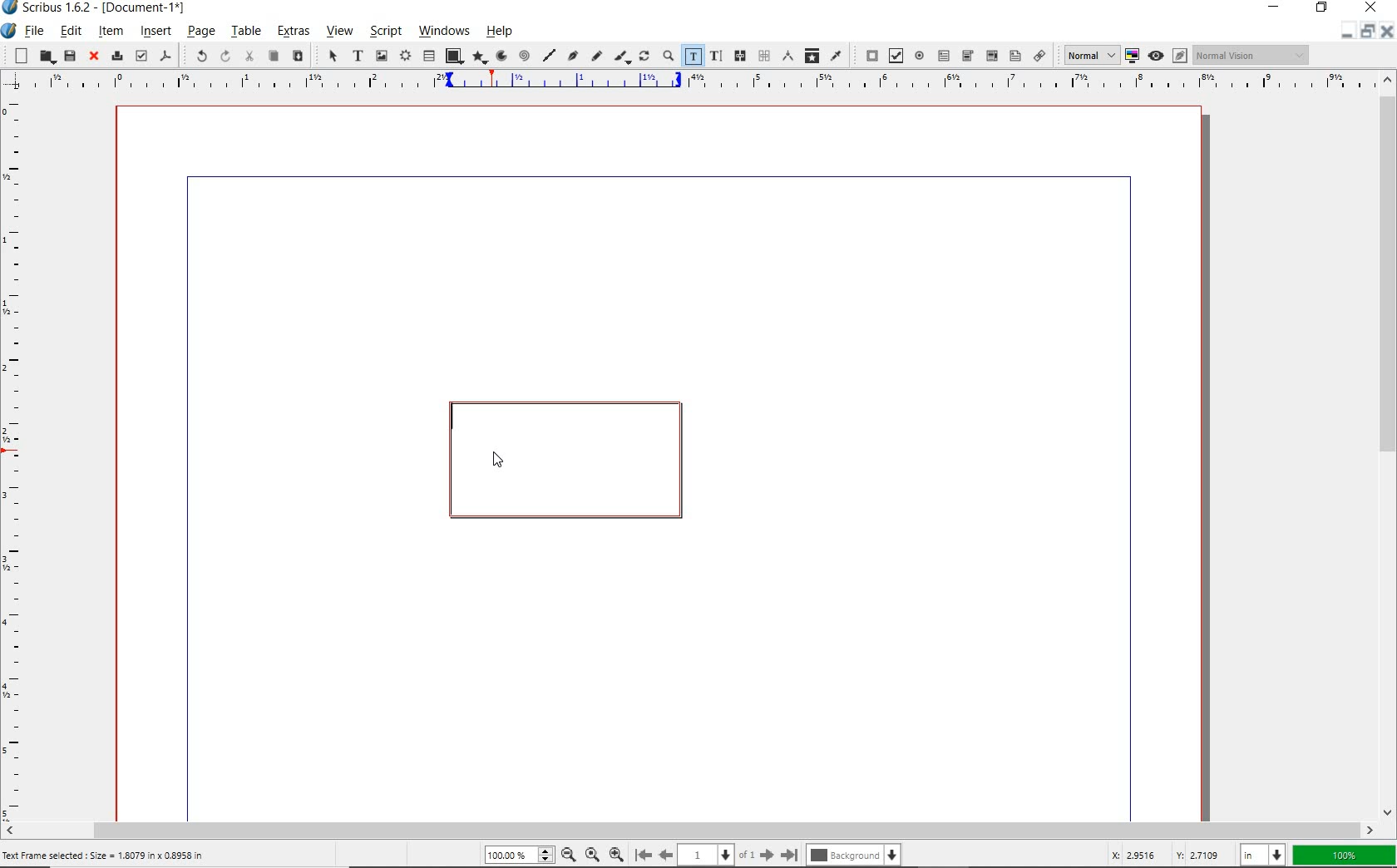 The image size is (1397, 868). What do you see at coordinates (112, 33) in the screenshot?
I see `item` at bounding box center [112, 33].